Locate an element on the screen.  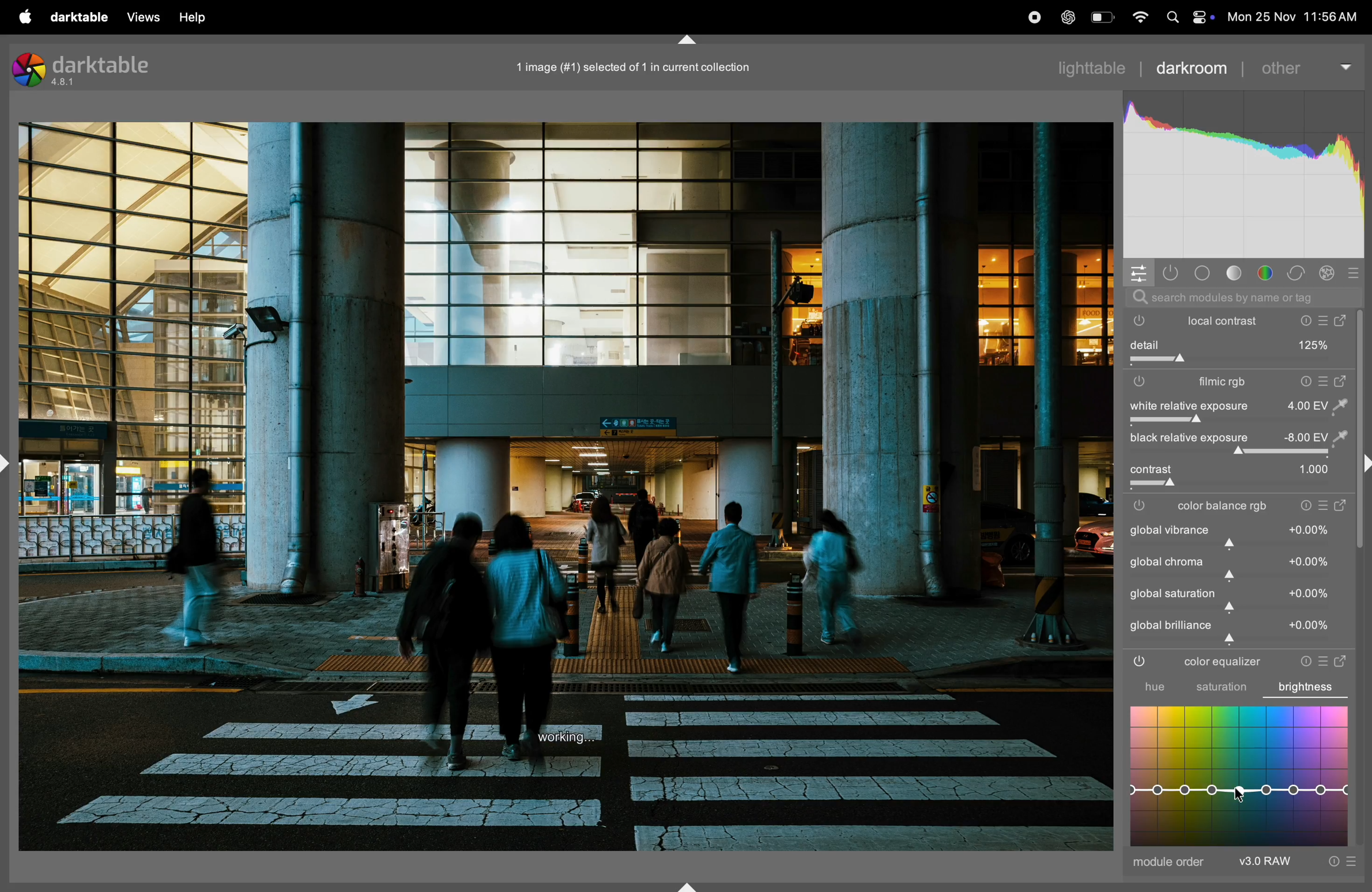
value is located at coordinates (1313, 470).